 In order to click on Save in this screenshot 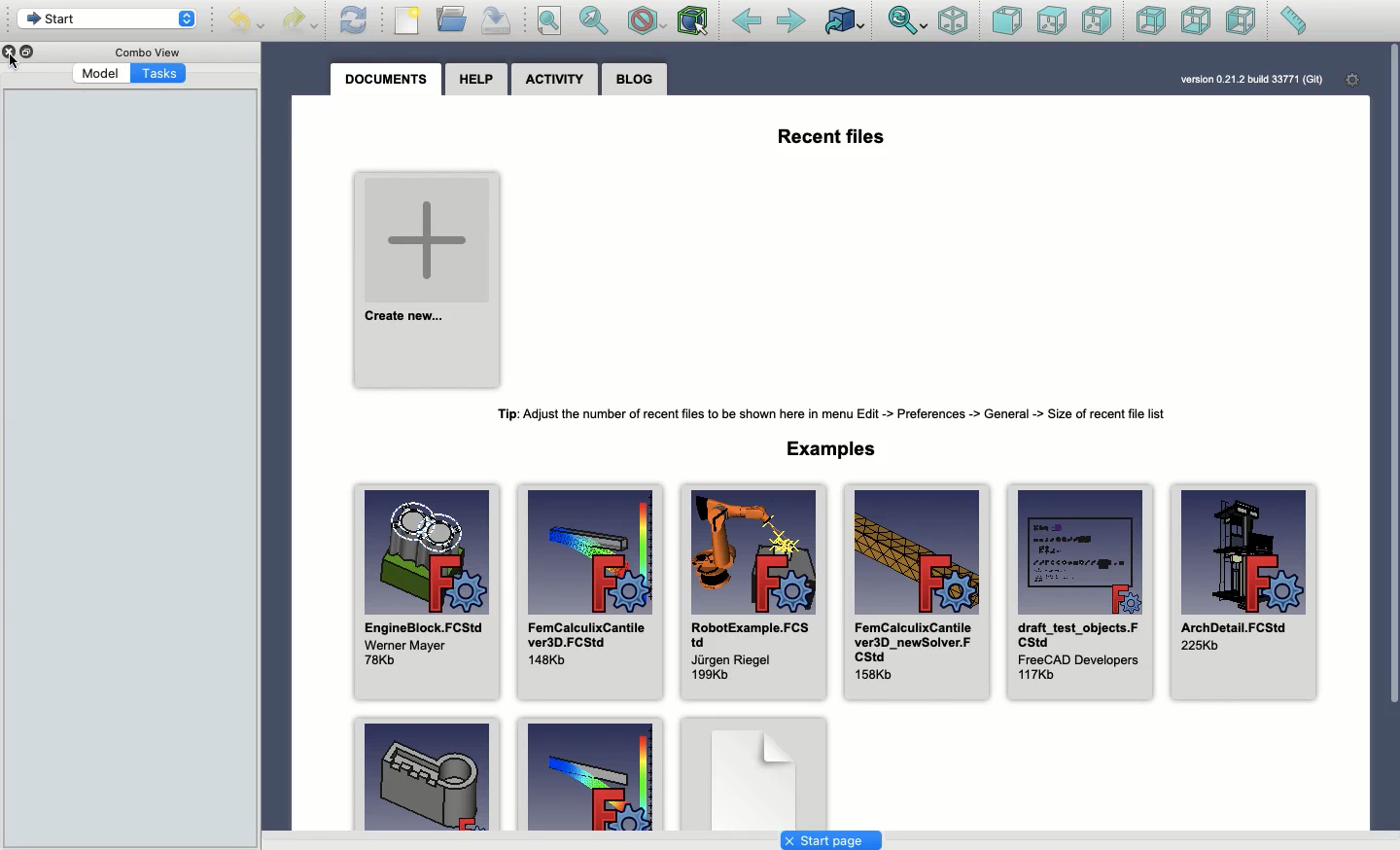, I will do `click(496, 19)`.